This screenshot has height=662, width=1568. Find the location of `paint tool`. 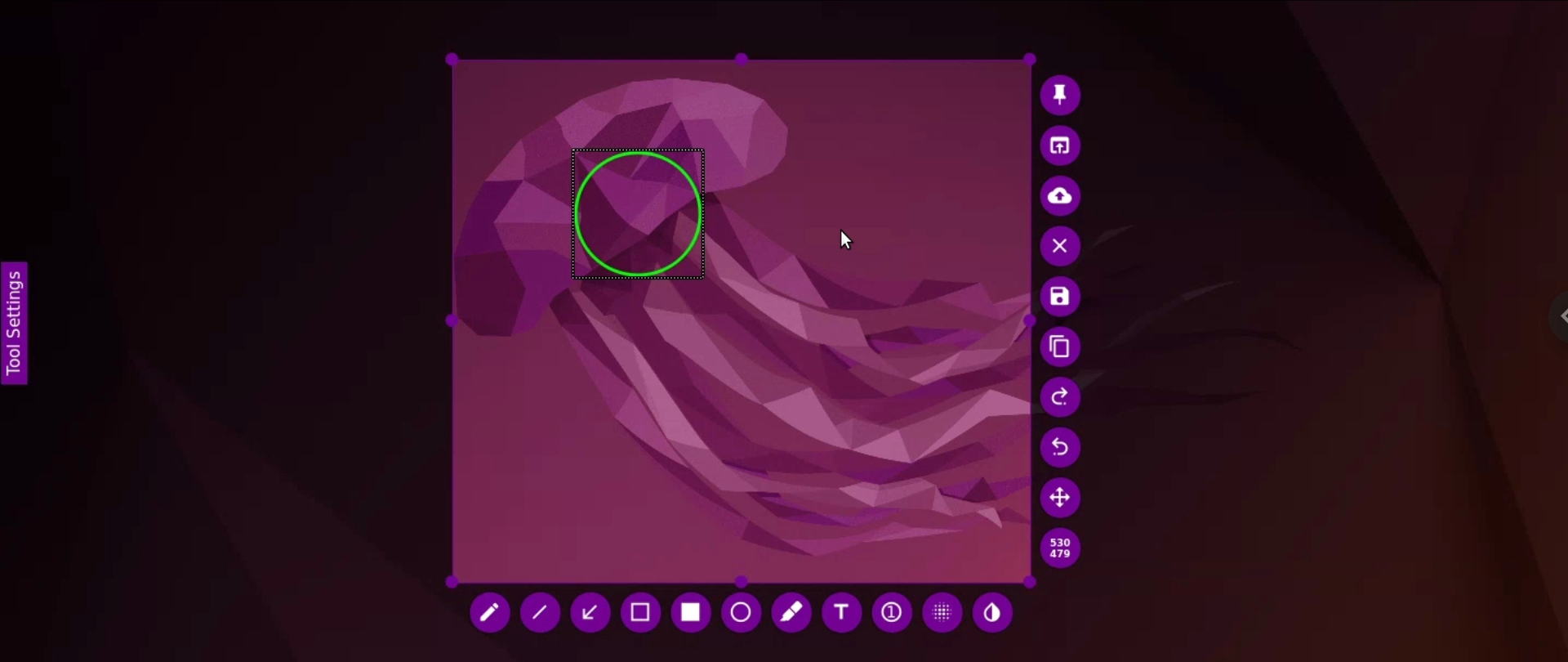

paint tool is located at coordinates (995, 611).